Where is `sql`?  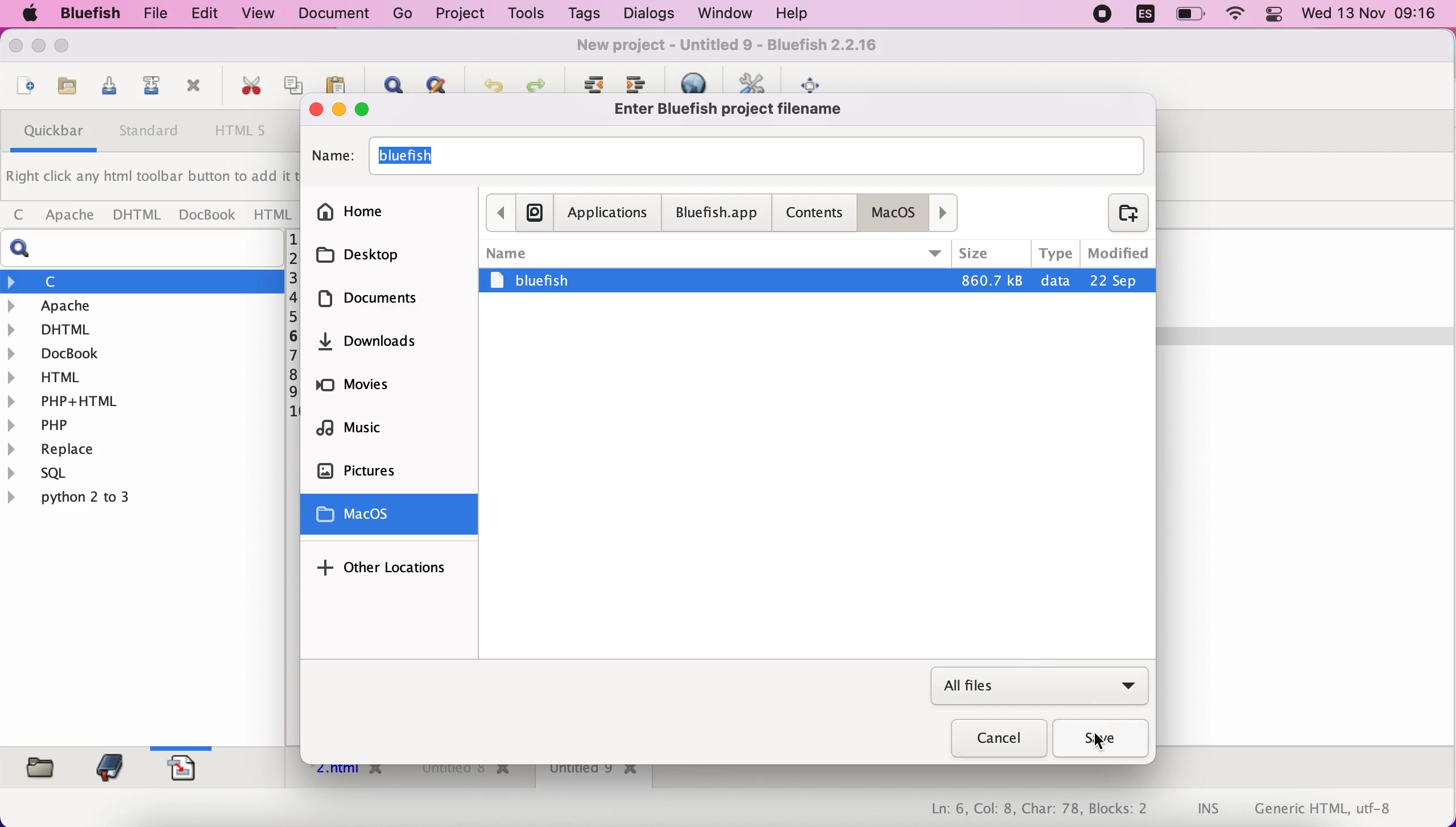
sql is located at coordinates (45, 475).